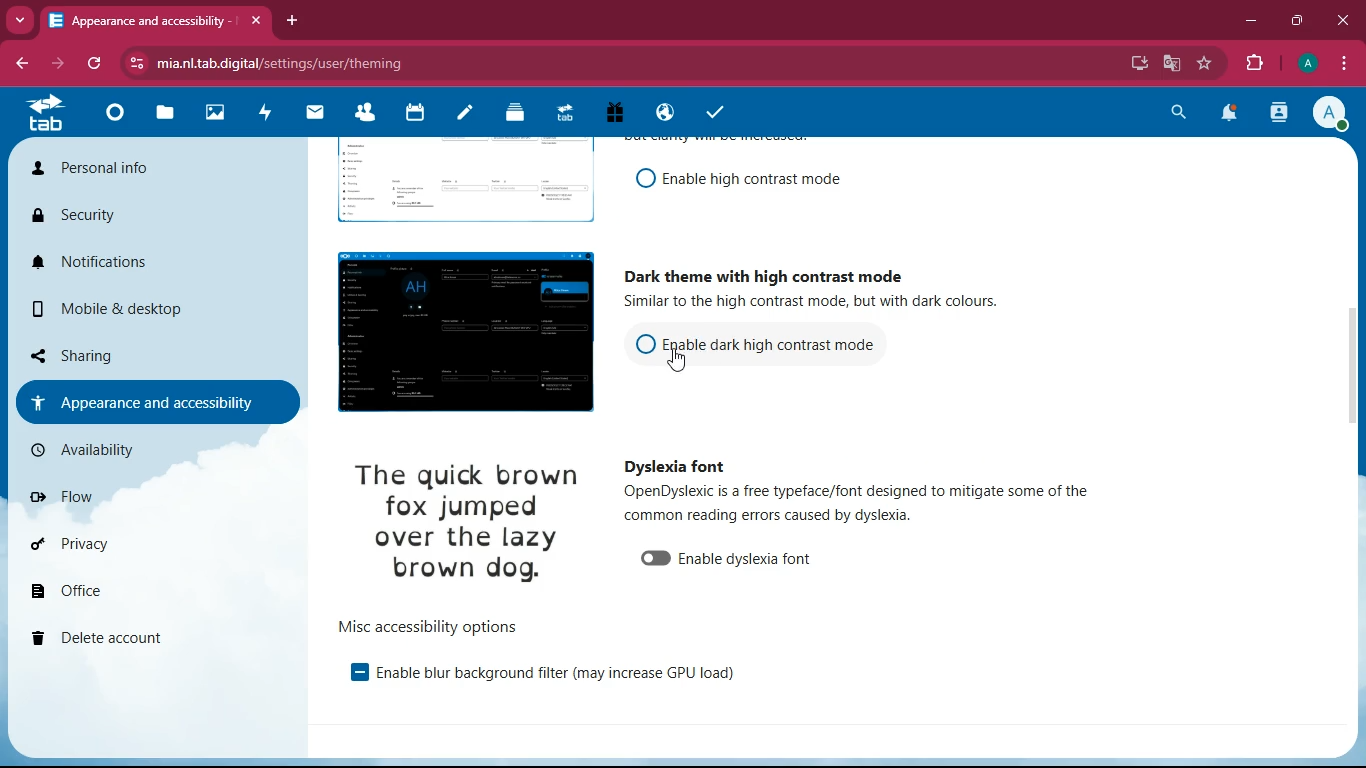 This screenshot has width=1366, height=768. Describe the element at coordinates (1278, 116) in the screenshot. I see `activity` at that location.